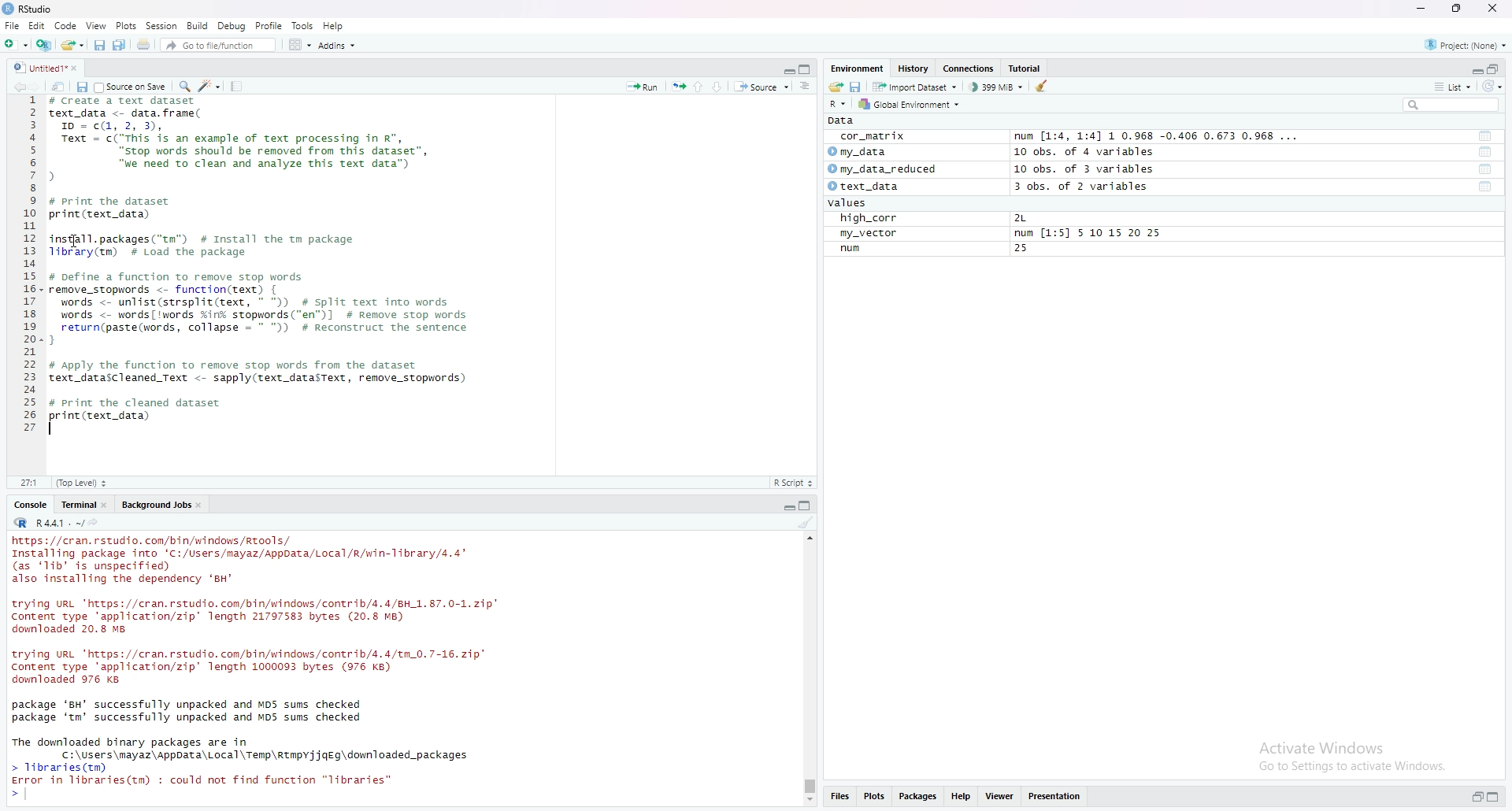 The image size is (1512, 811). Describe the element at coordinates (132, 87) in the screenshot. I see `source on save` at that location.